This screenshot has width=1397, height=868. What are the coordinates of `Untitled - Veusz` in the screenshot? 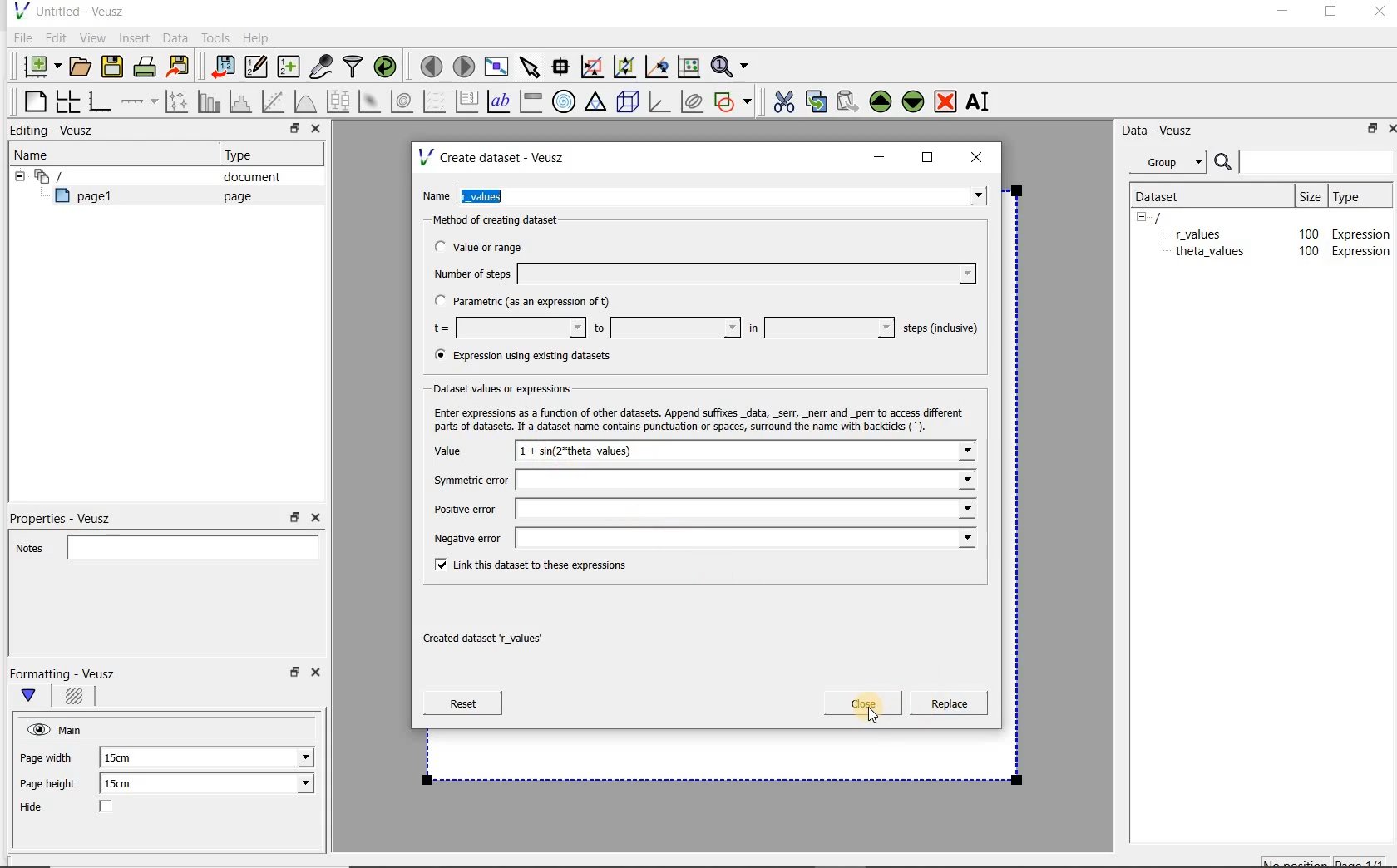 It's located at (67, 10).